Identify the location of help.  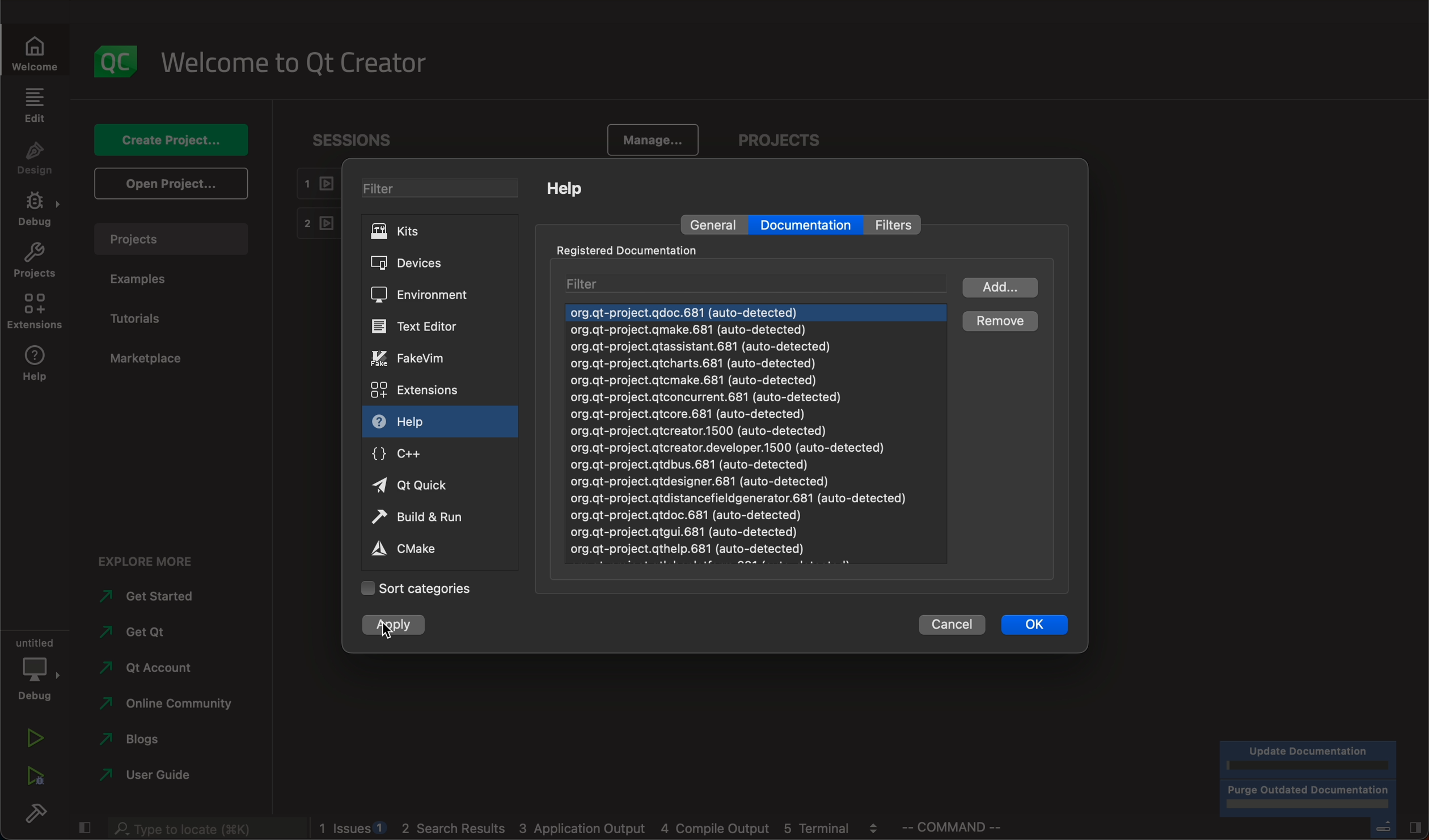
(39, 363).